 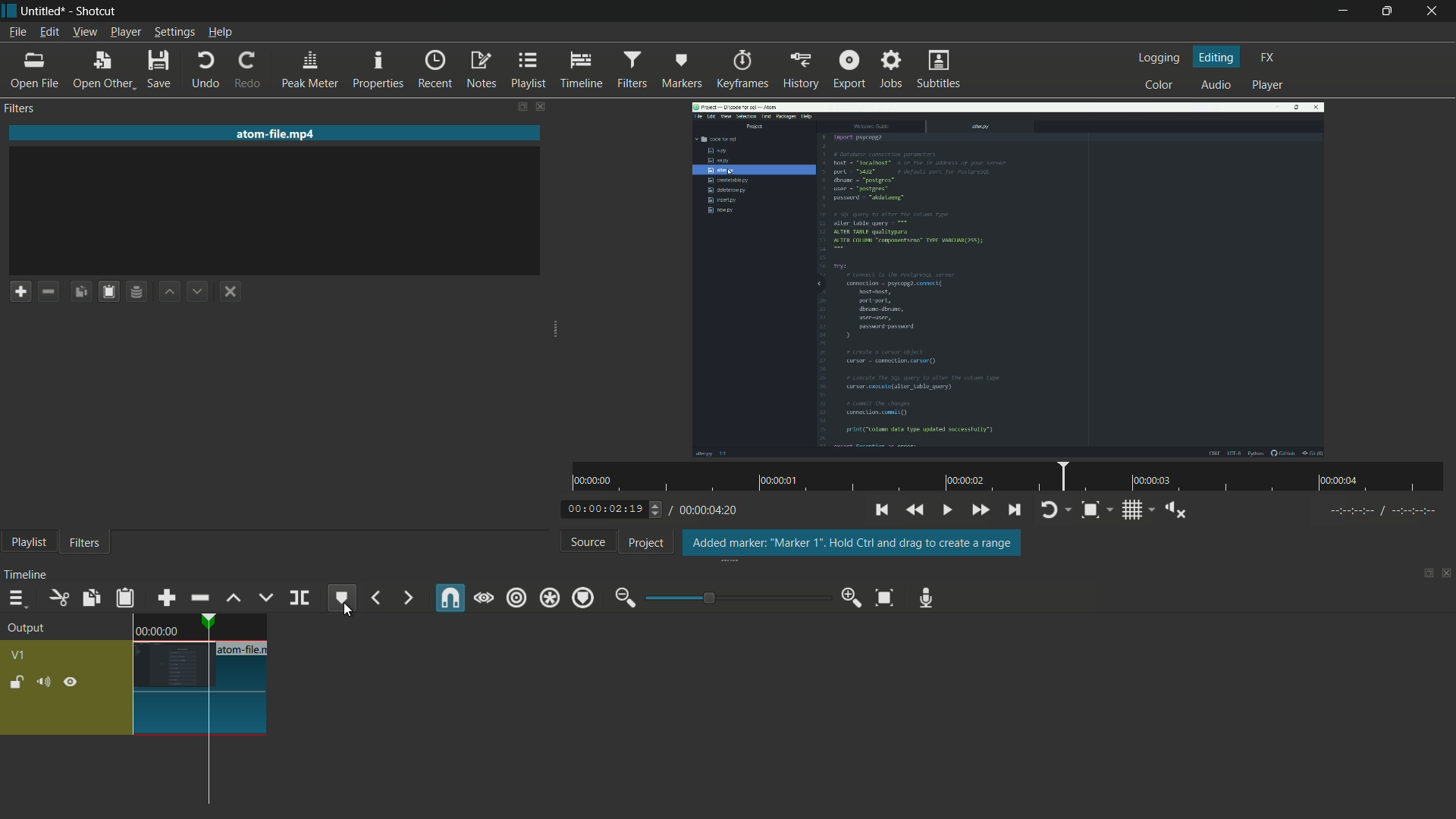 What do you see at coordinates (484, 599) in the screenshot?
I see `scrub while dragging` at bounding box center [484, 599].